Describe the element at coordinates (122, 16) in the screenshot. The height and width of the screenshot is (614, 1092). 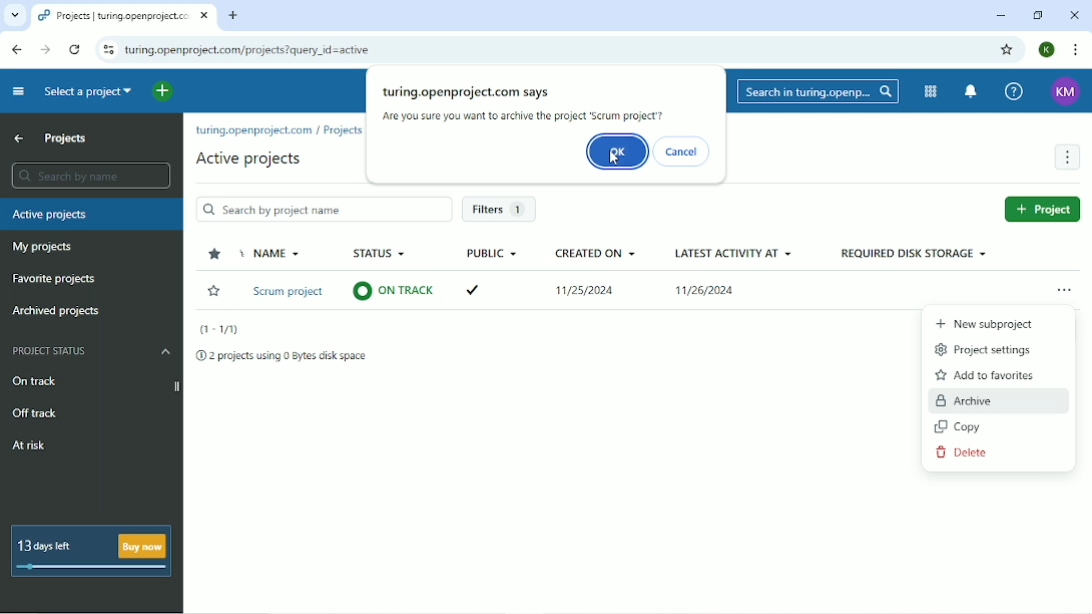
I see `Projects | turing.openproject.com` at that location.